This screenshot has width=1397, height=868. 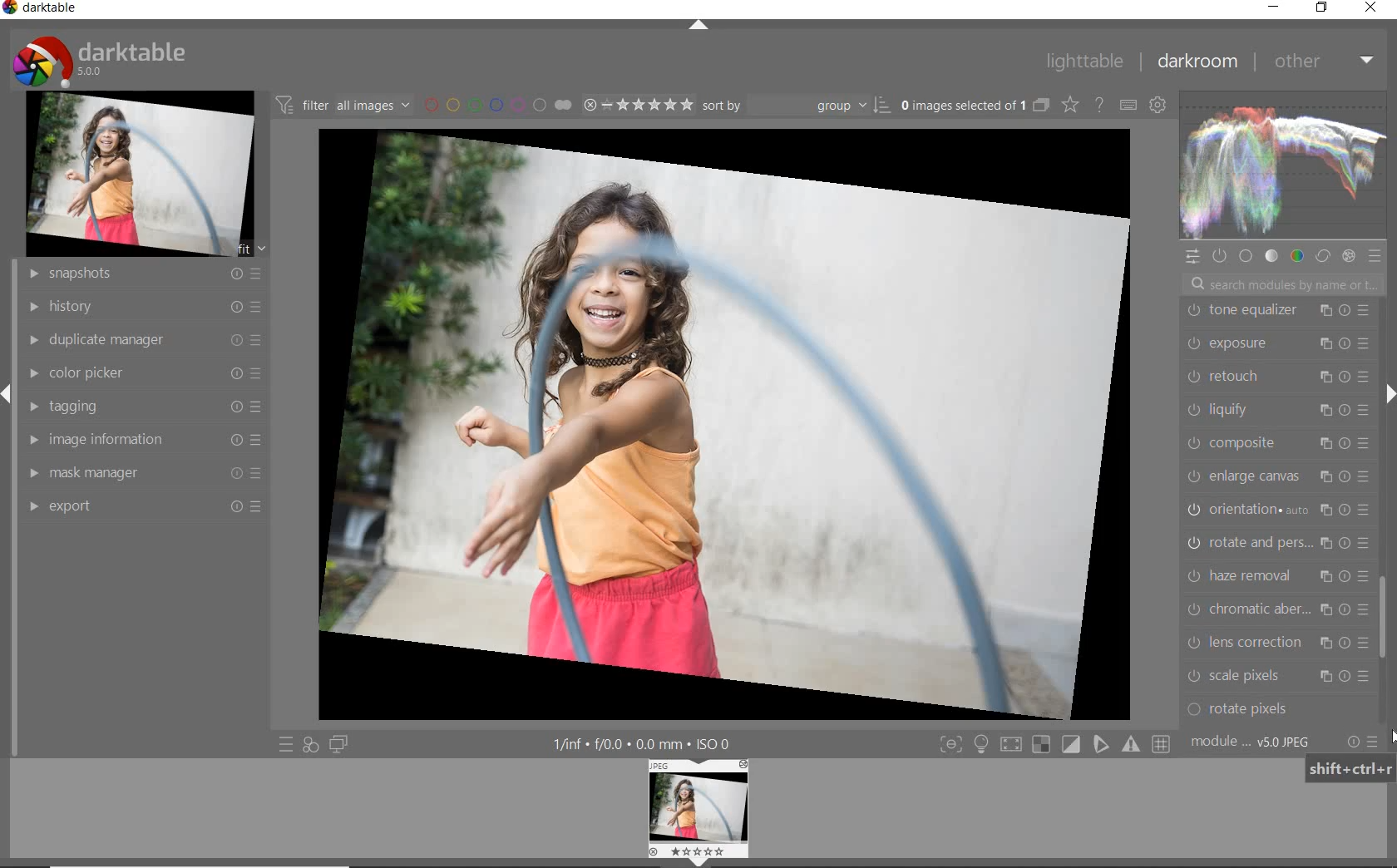 What do you see at coordinates (1359, 742) in the screenshot?
I see `reset or preset preference` at bounding box center [1359, 742].